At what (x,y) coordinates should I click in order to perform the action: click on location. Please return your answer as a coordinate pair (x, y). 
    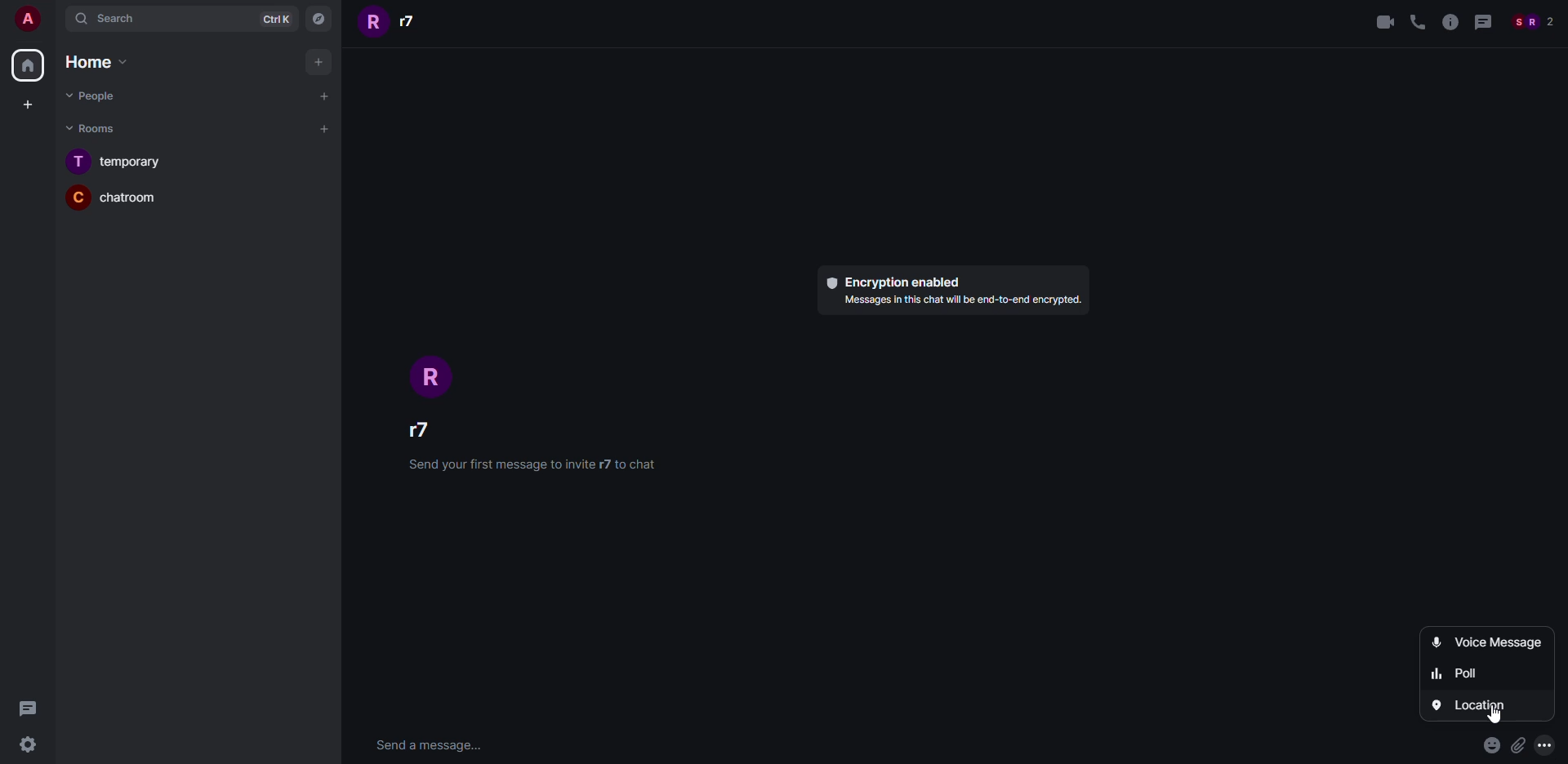
    Looking at the image, I should click on (1477, 704).